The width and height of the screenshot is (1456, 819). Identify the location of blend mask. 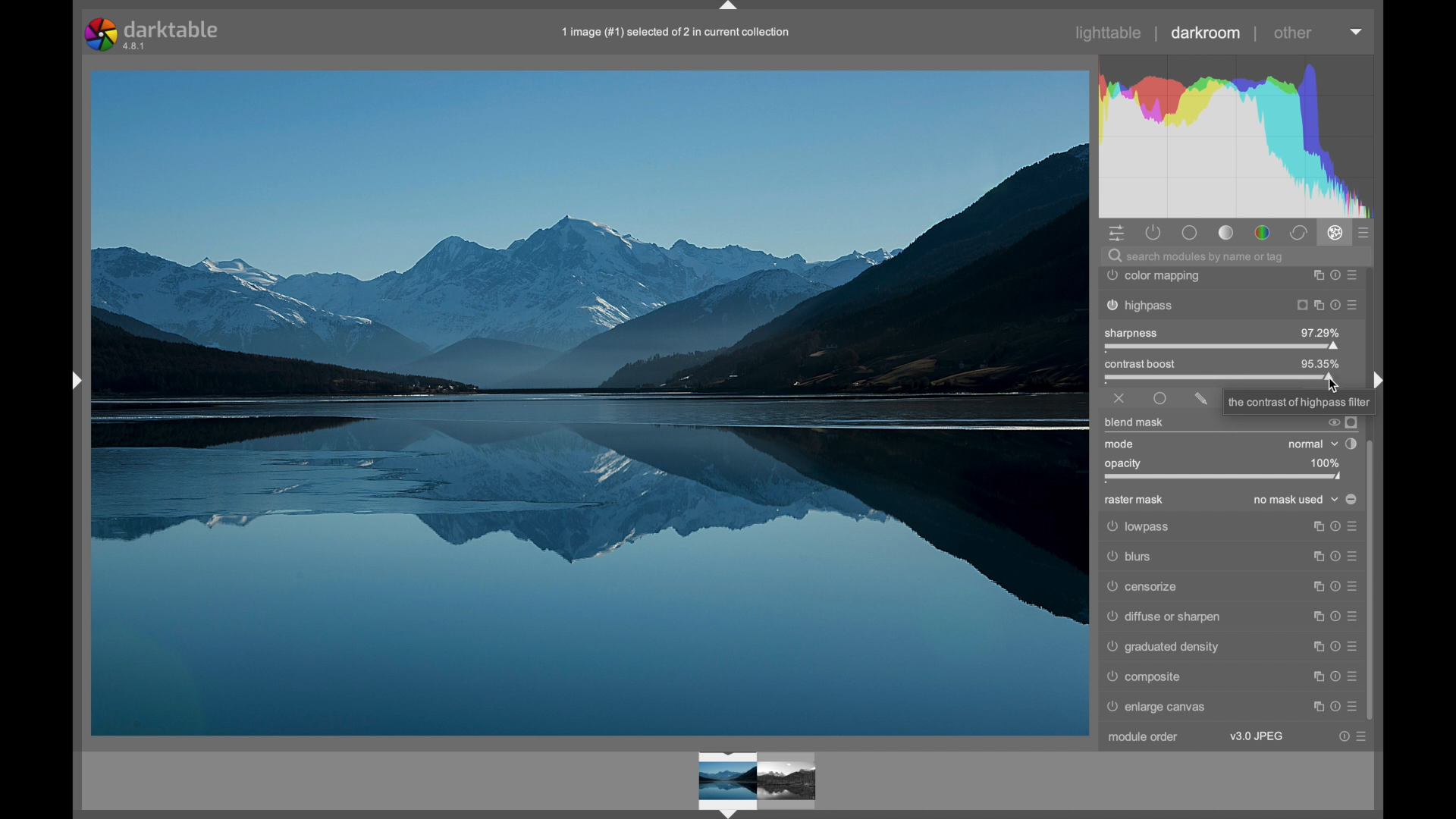
(1133, 422).